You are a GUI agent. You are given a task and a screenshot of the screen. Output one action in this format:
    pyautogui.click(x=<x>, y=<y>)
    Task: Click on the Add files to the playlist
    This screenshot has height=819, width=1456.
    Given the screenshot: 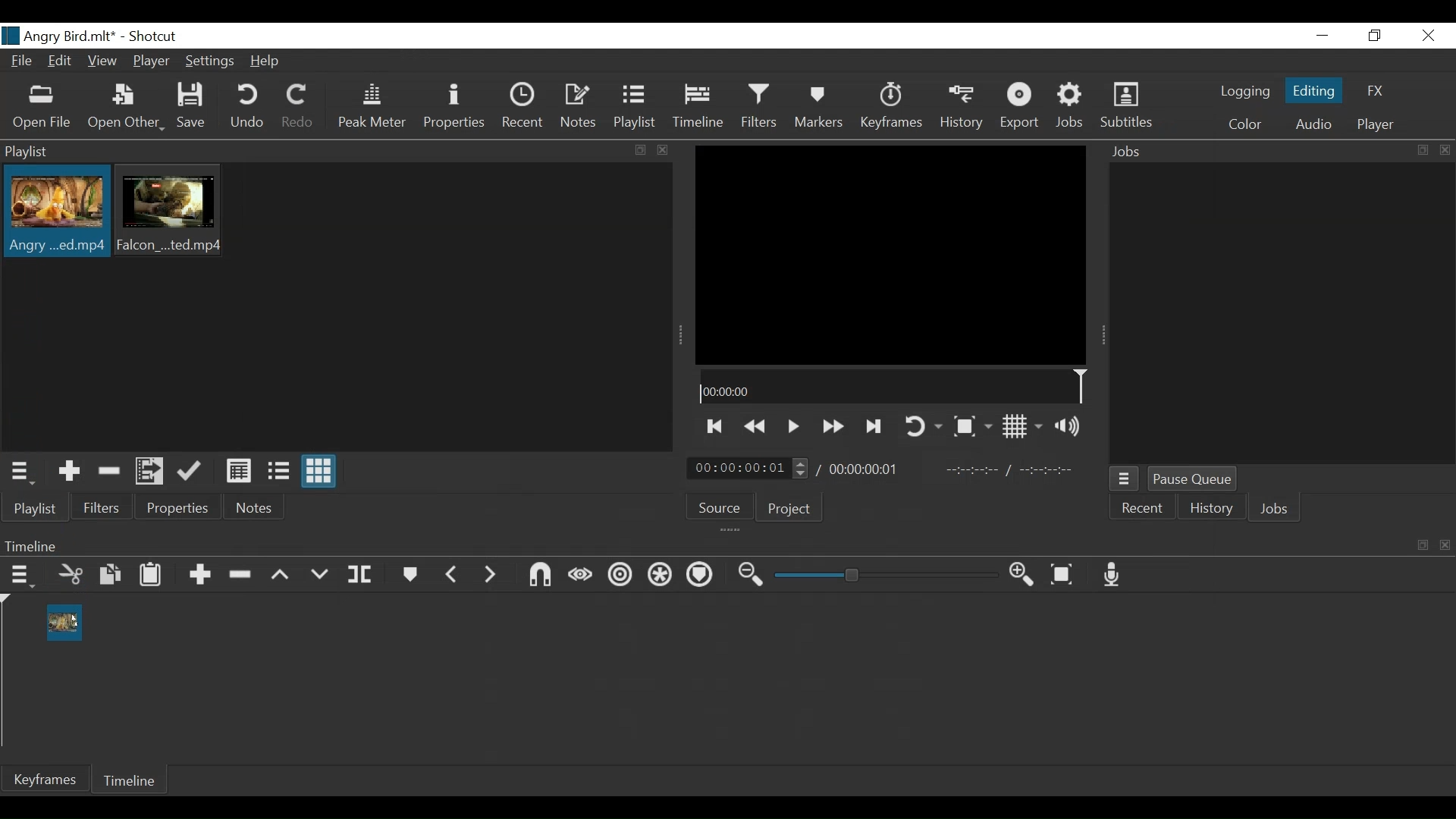 What is the action you would take?
    pyautogui.click(x=151, y=471)
    